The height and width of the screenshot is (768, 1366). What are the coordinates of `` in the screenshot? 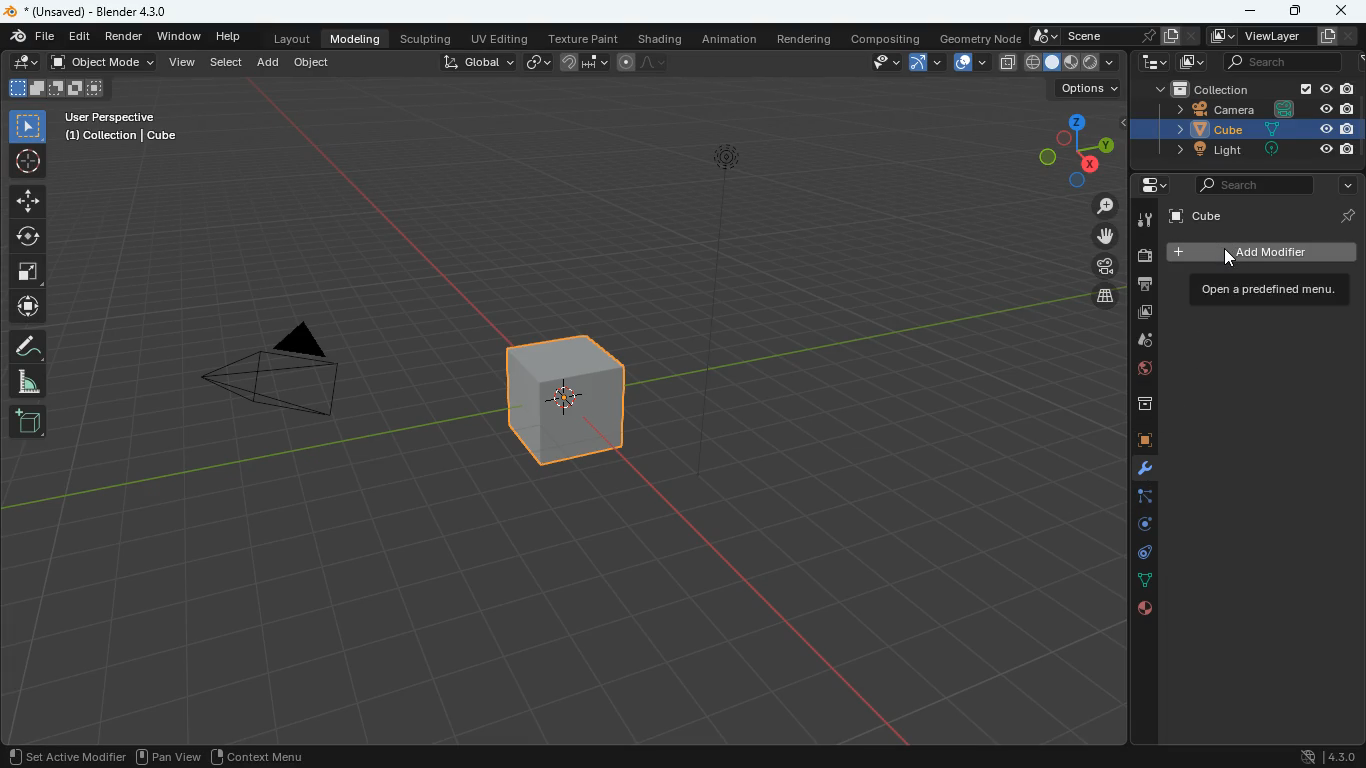 It's located at (1323, 109).